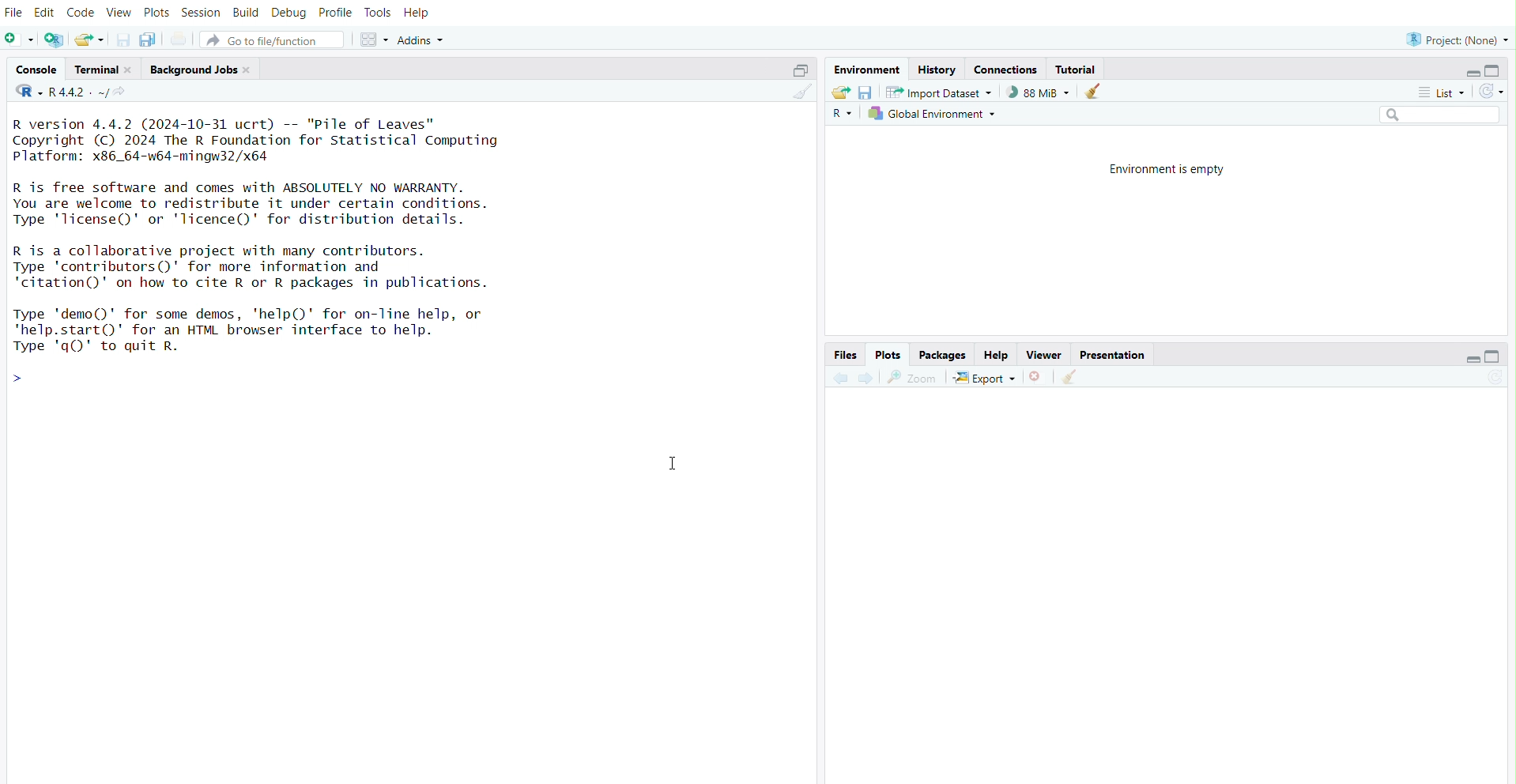 This screenshot has width=1516, height=784. Describe the element at coordinates (181, 38) in the screenshot. I see `print the current file` at that location.